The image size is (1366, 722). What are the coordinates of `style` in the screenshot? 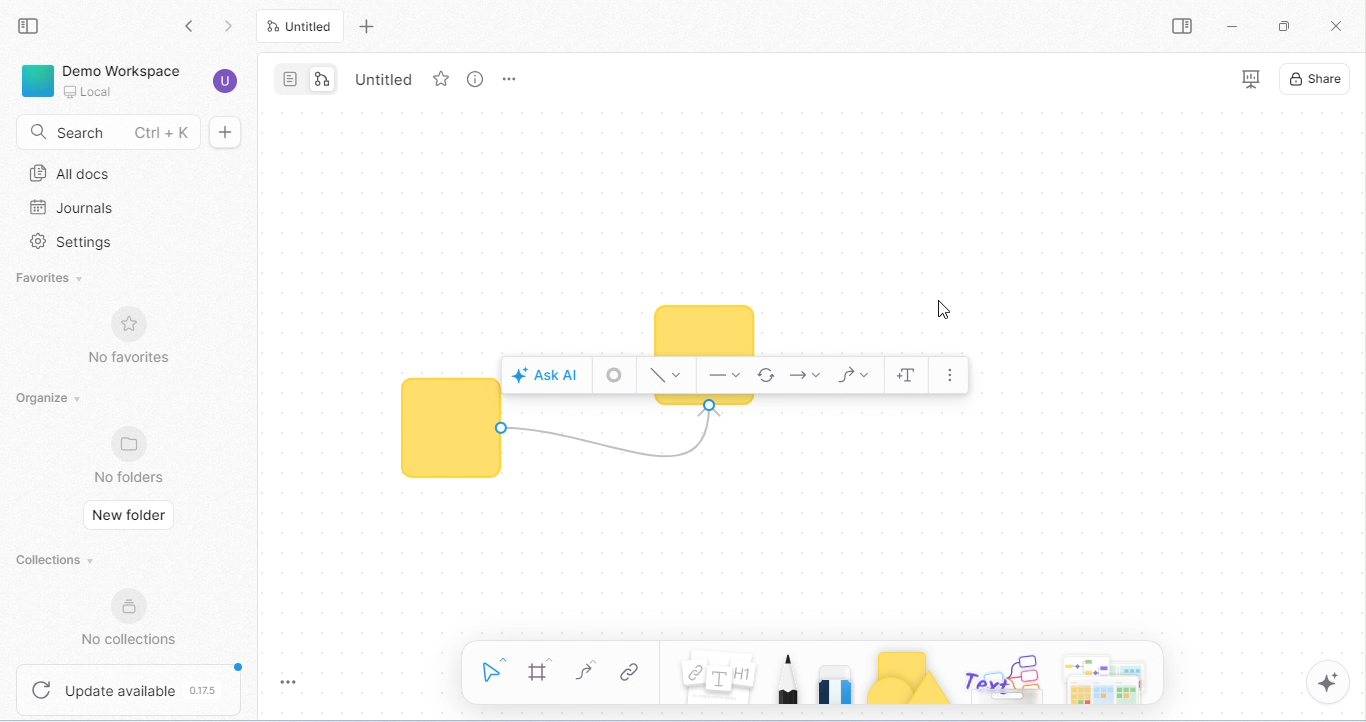 It's located at (666, 377).